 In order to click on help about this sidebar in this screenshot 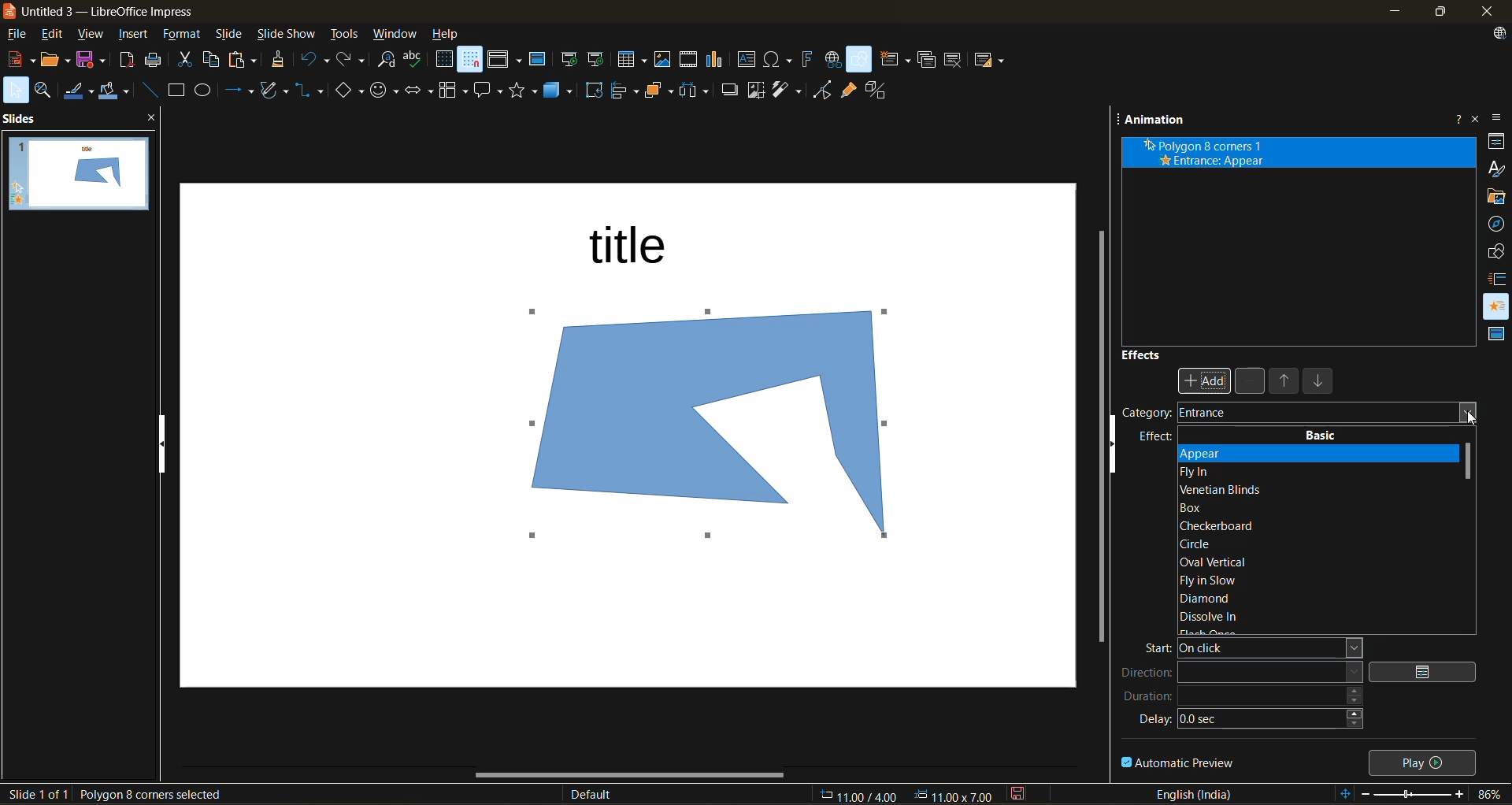, I will do `click(1454, 117)`.